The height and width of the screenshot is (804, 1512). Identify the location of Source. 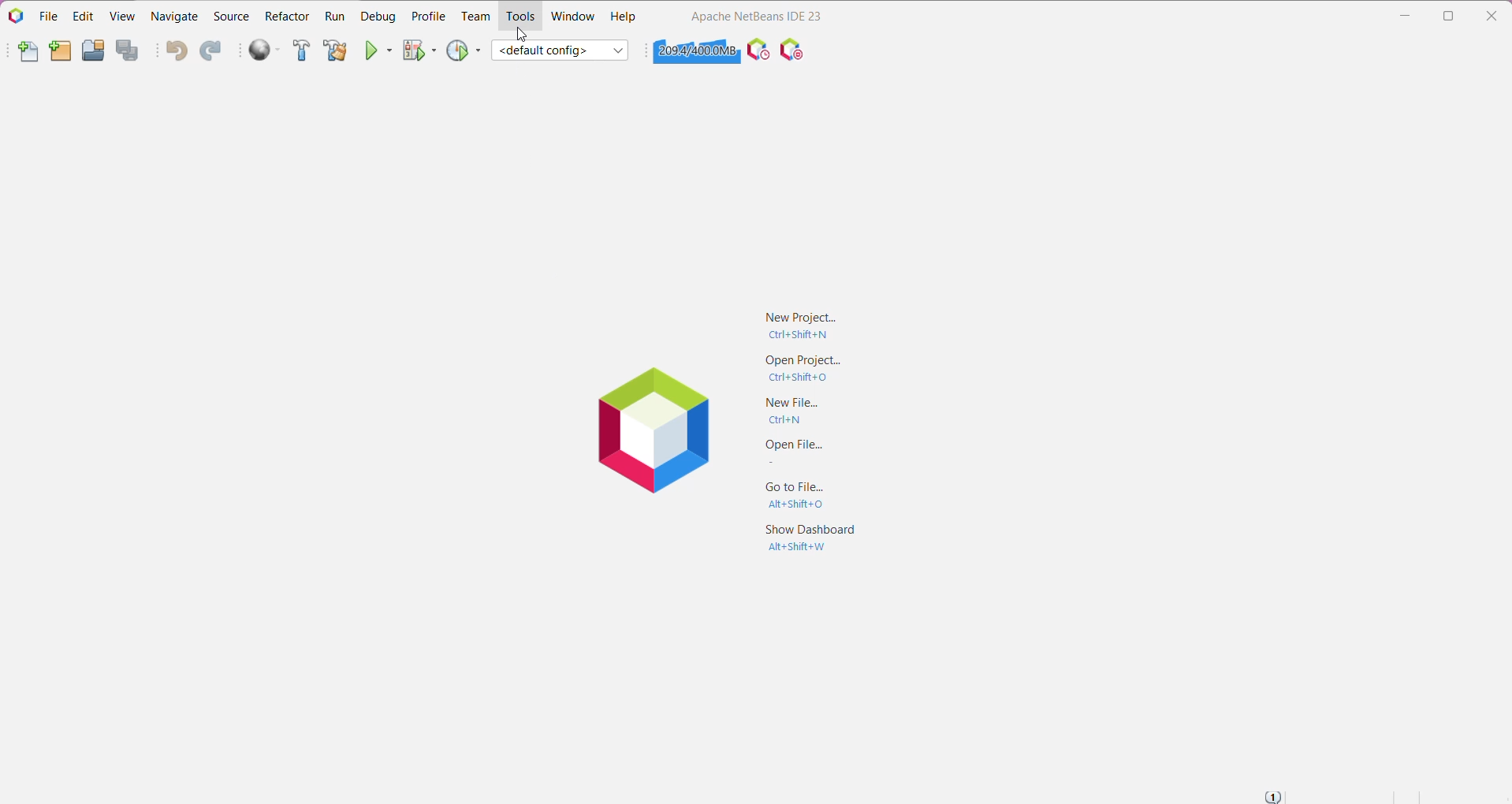
(231, 17).